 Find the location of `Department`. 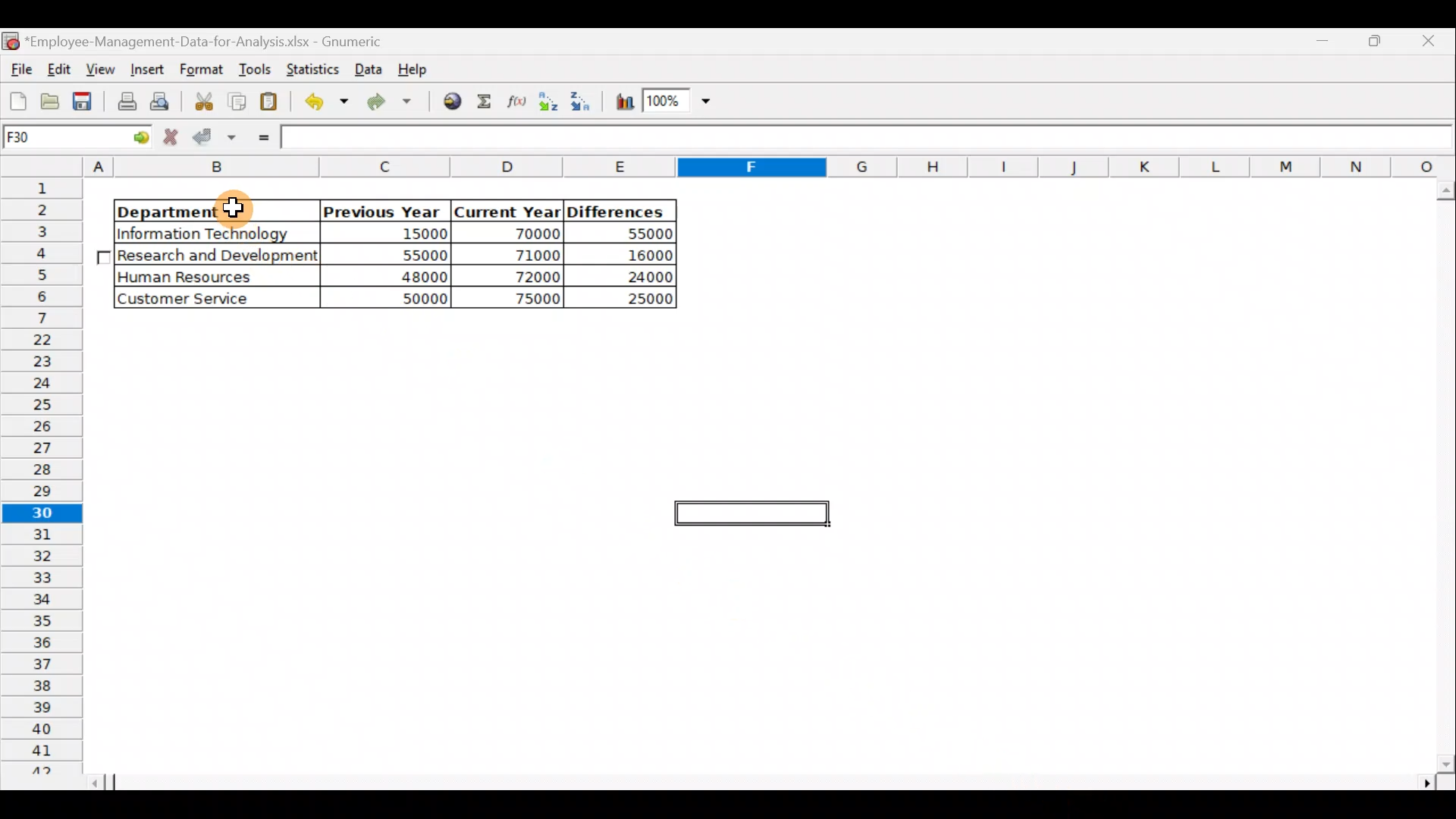

Department is located at coordinates (206, 211).